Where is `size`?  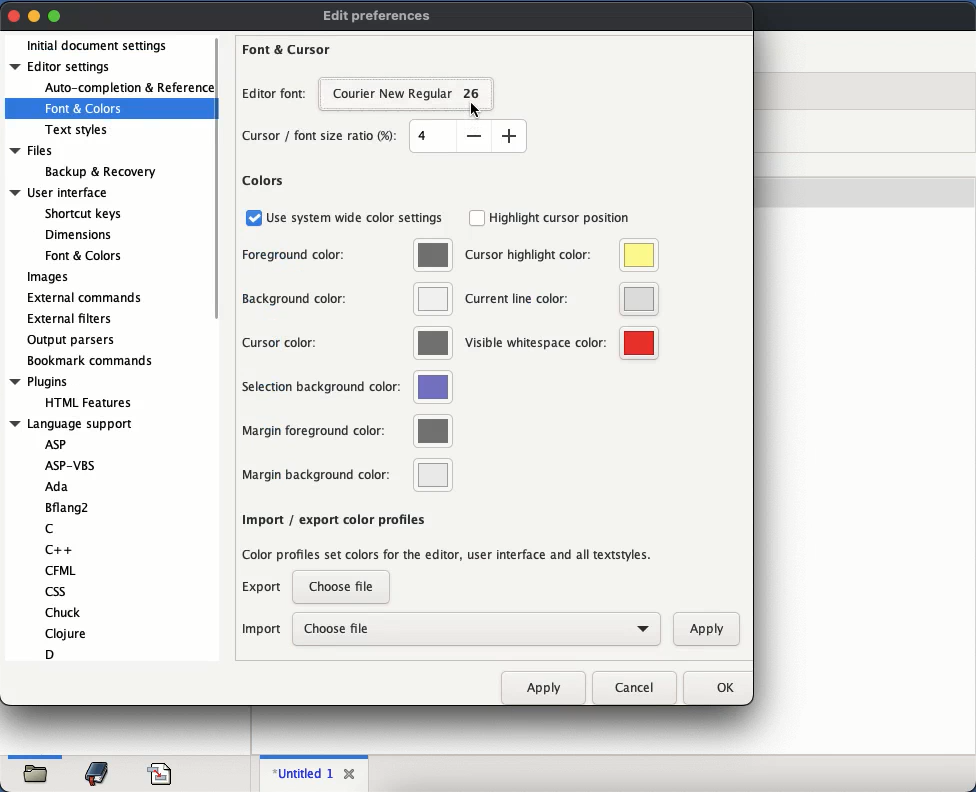
size is located at coordinates (423, 134).